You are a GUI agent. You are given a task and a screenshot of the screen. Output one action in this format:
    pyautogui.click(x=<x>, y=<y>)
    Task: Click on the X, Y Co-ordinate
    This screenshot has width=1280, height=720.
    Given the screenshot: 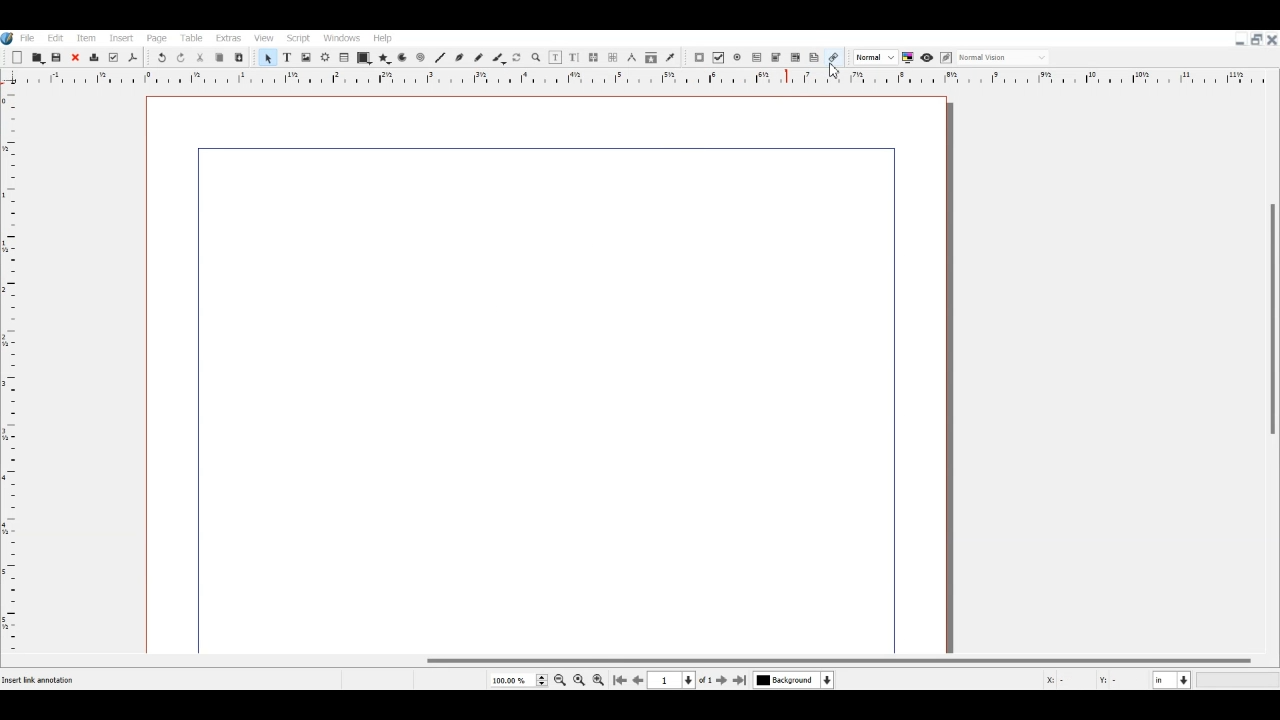 What is the action you would take?
    pyautogui.click(x=1067, y=680)
    